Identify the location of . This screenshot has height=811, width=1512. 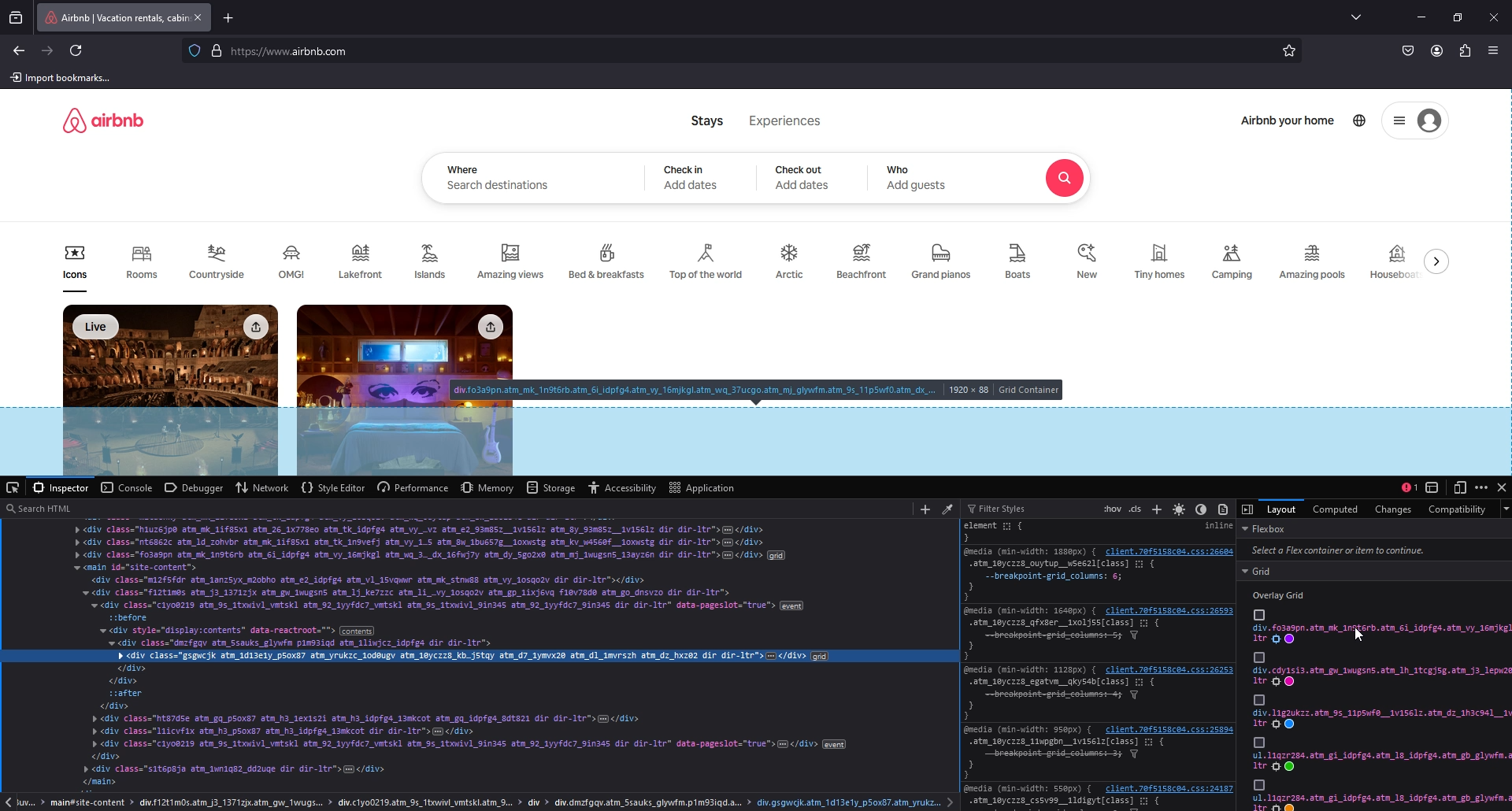
(1258, 742).